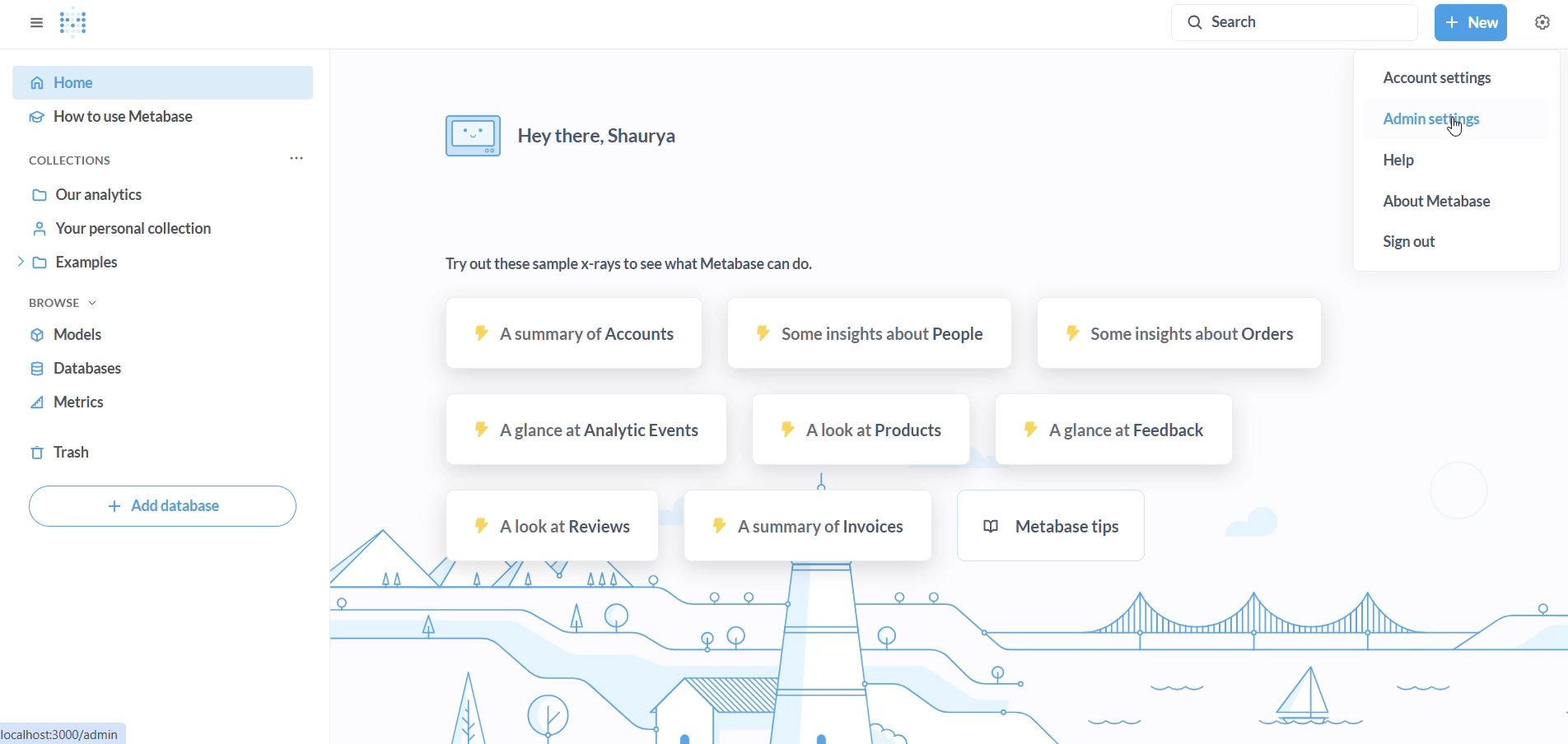 This screenshot has height=744, width=1568. What do you see at coordinates (295, 156) in the screenshot?
I see `options` at bounding box center [295, 156].